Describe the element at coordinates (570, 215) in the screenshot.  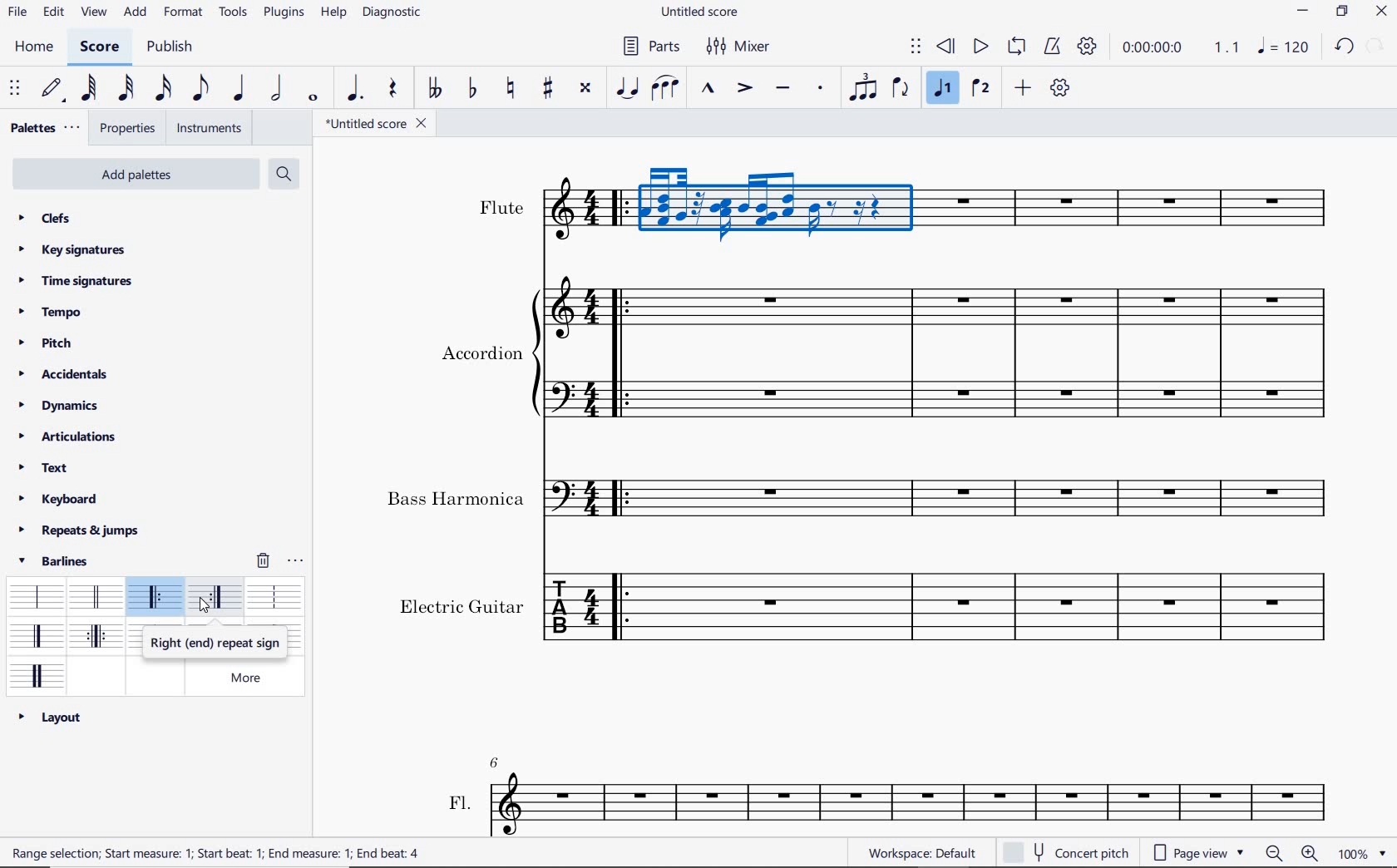
I see `Instrument: Flute` at that location.